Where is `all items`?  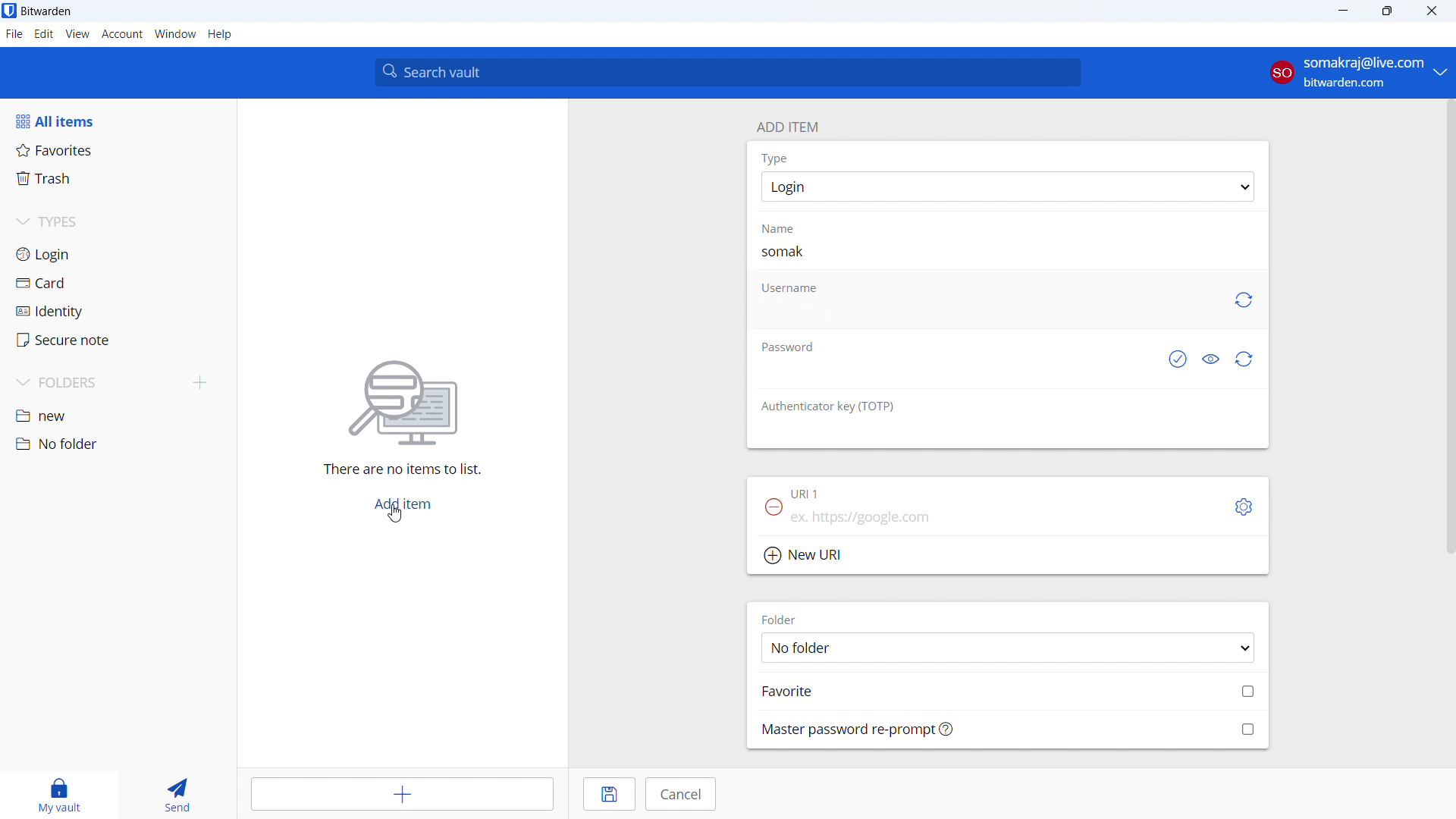
all items is located at coordinates (118, 121).